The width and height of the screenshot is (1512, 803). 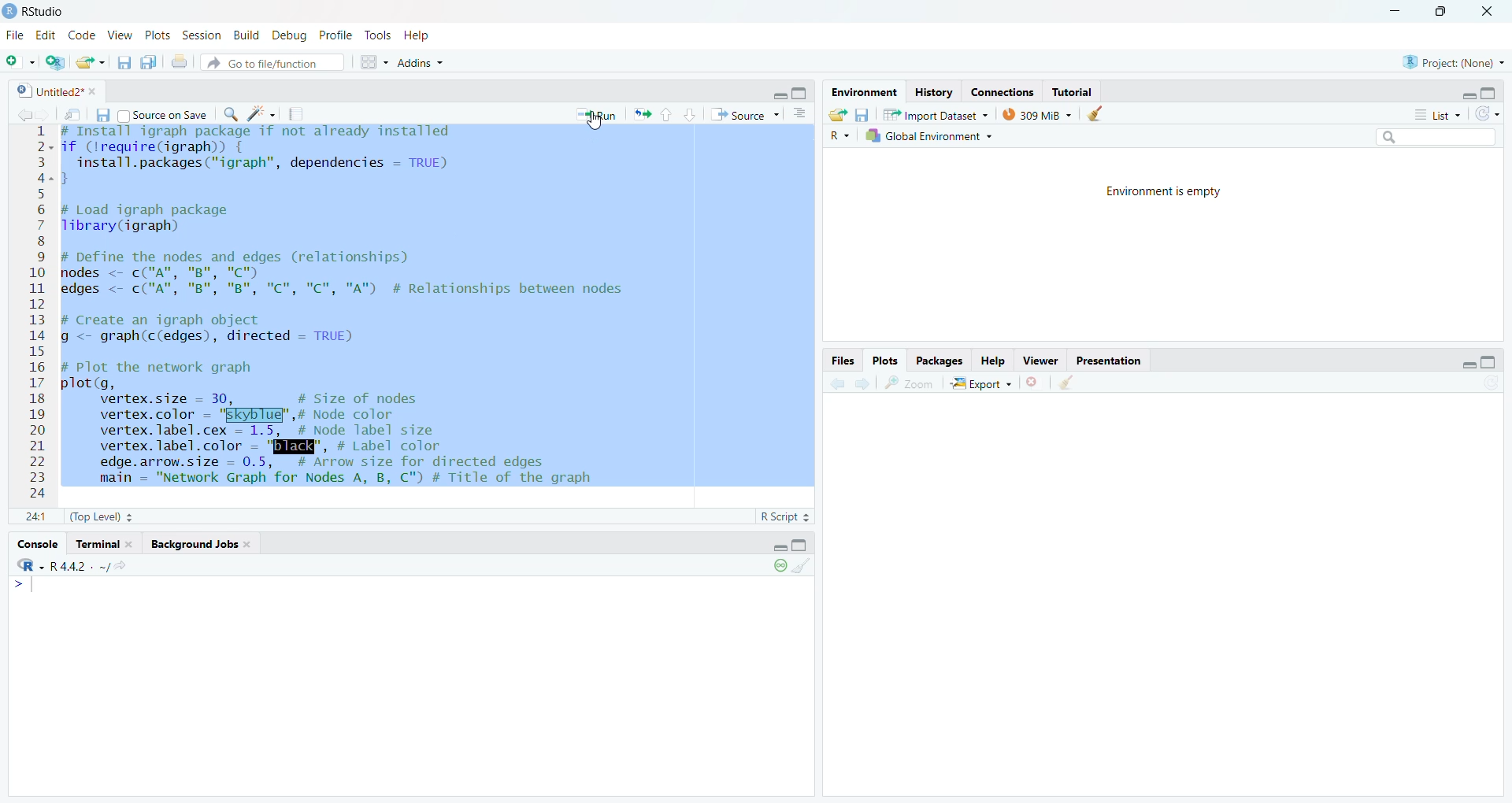 What do you see at coordinates (18, 63) in the screenshot?
I see `add` at bounding box center [18, 63].